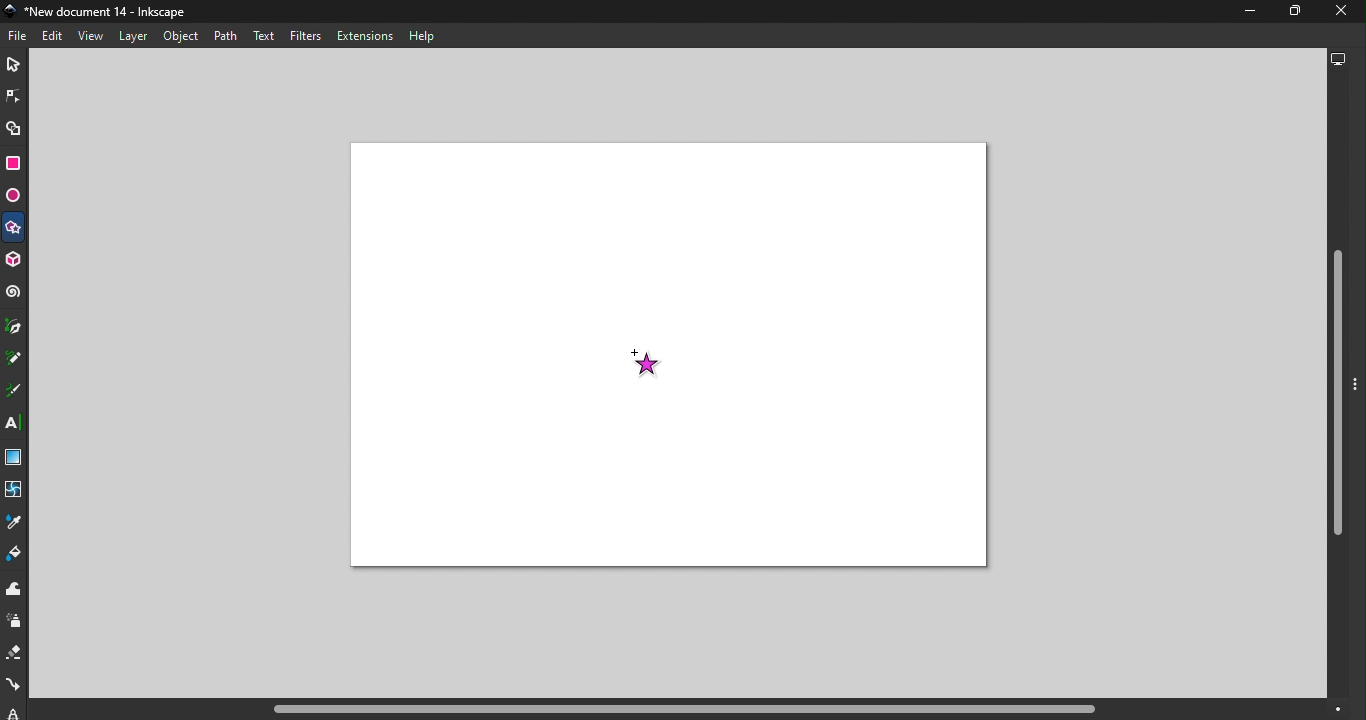 This screenshot has height=720, width=1366. Describe the element at coordinates (20, 36) in the screenshot. I see `File` at that location.